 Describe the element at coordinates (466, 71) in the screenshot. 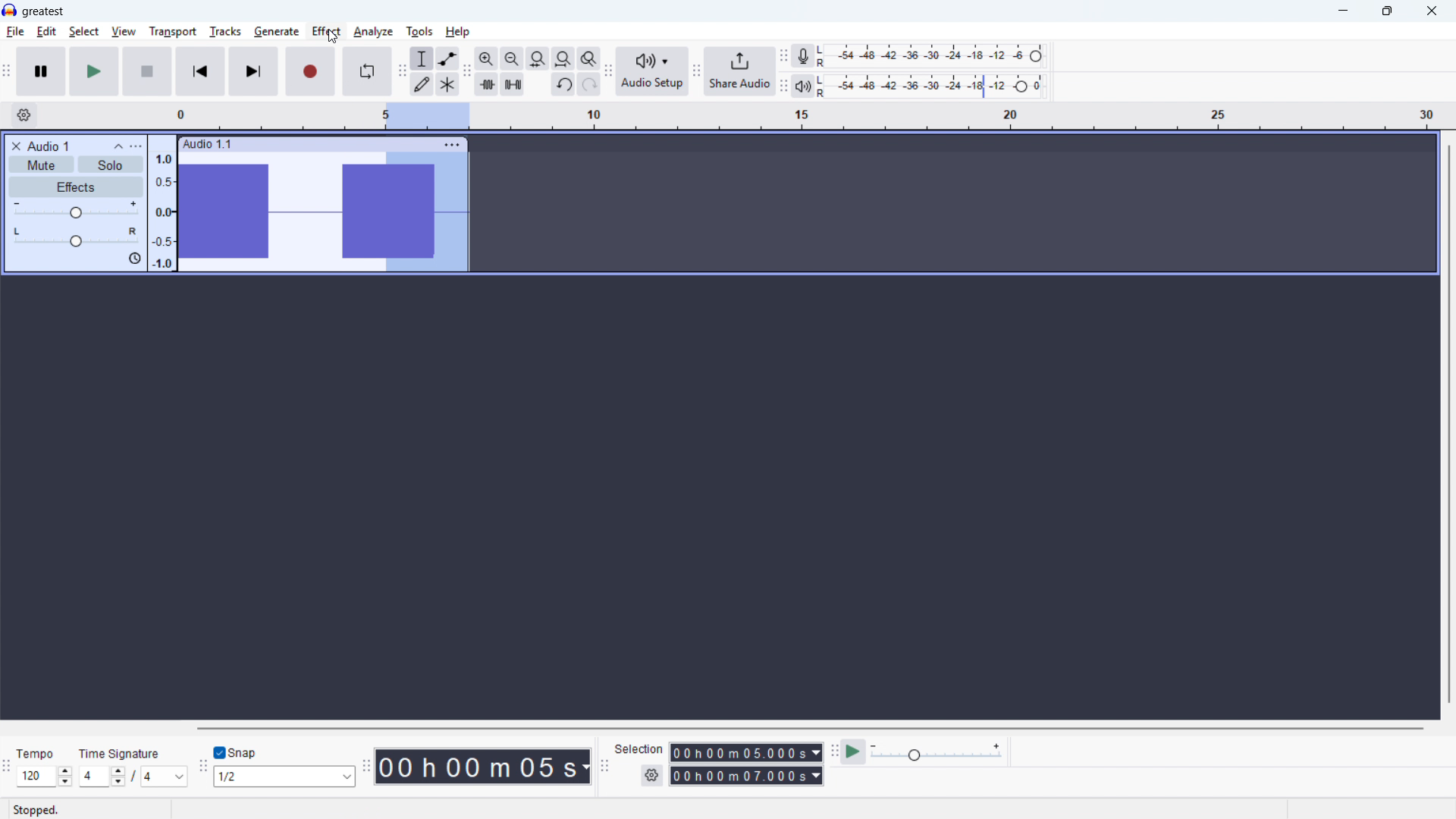

I see `Edit toolbar ` at that location.